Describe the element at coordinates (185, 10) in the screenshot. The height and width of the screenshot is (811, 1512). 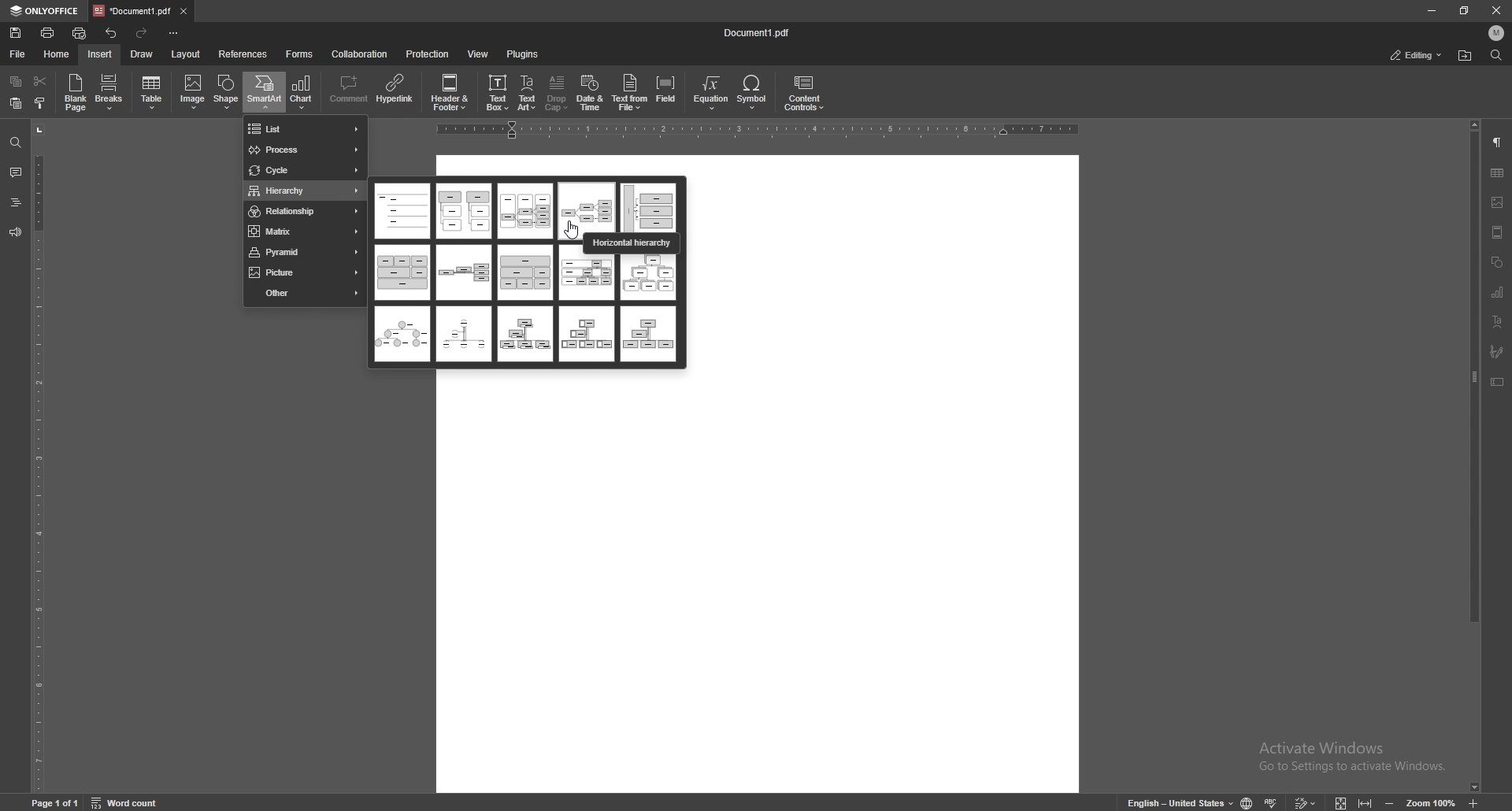
I see `close tab` at that location.